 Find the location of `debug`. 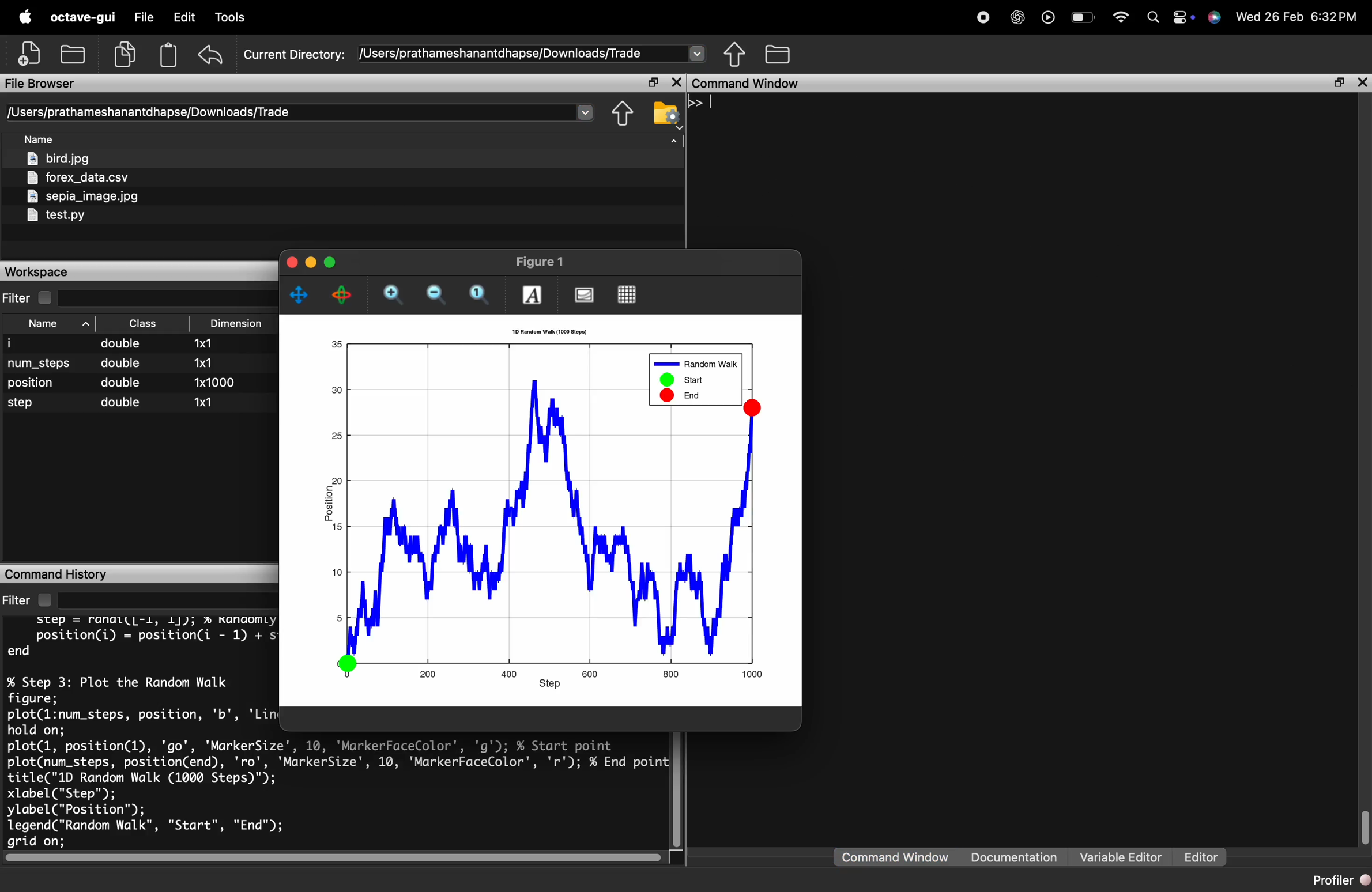

debug is located at coordinates (234, 18).